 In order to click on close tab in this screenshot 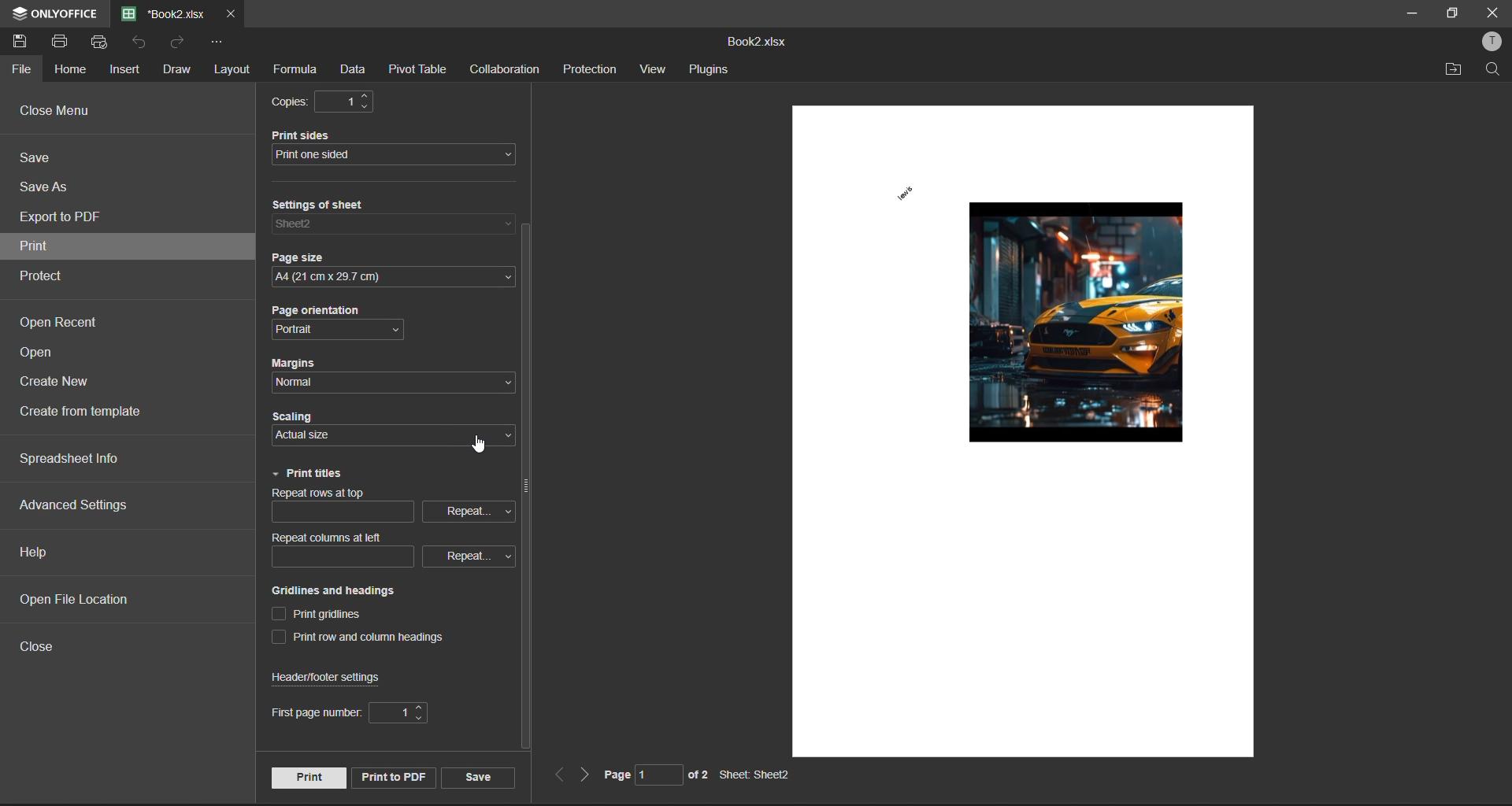, I will do `click(228, 13)`.